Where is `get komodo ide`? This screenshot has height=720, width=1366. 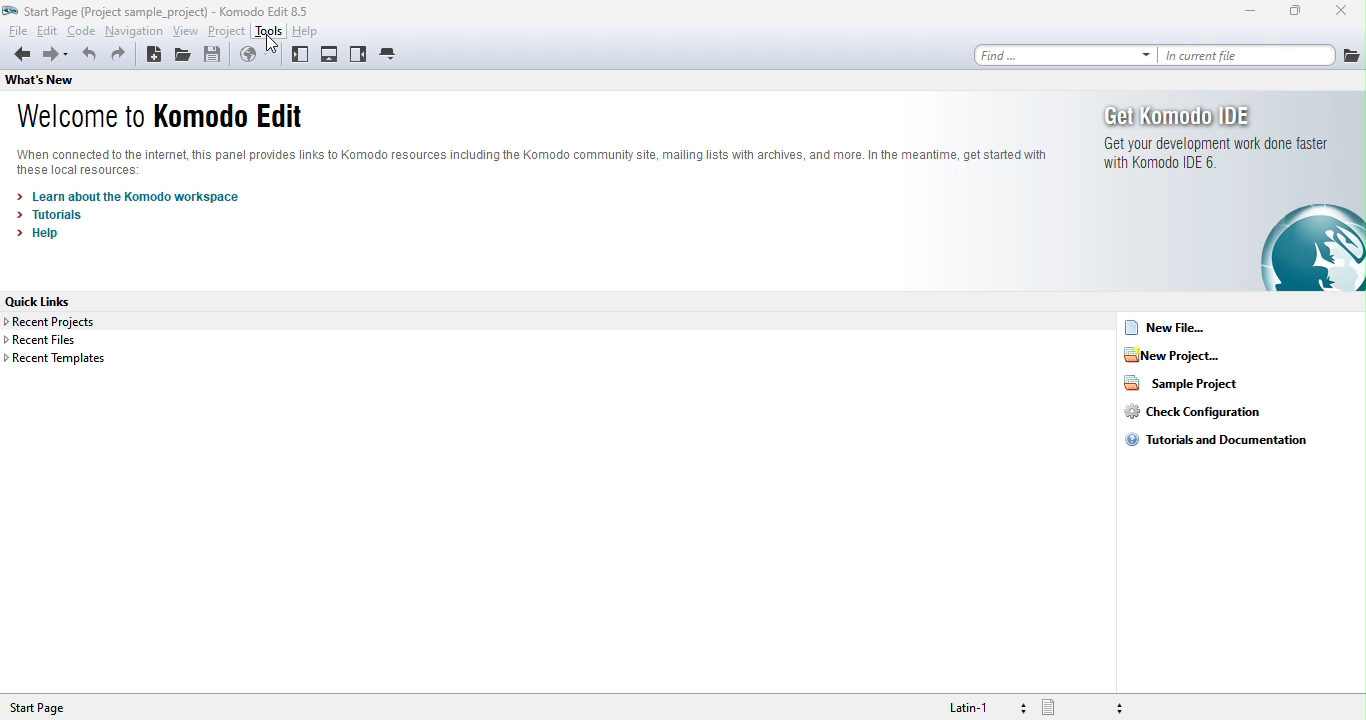 get komodo ide is located at coordinates (1216, 194).